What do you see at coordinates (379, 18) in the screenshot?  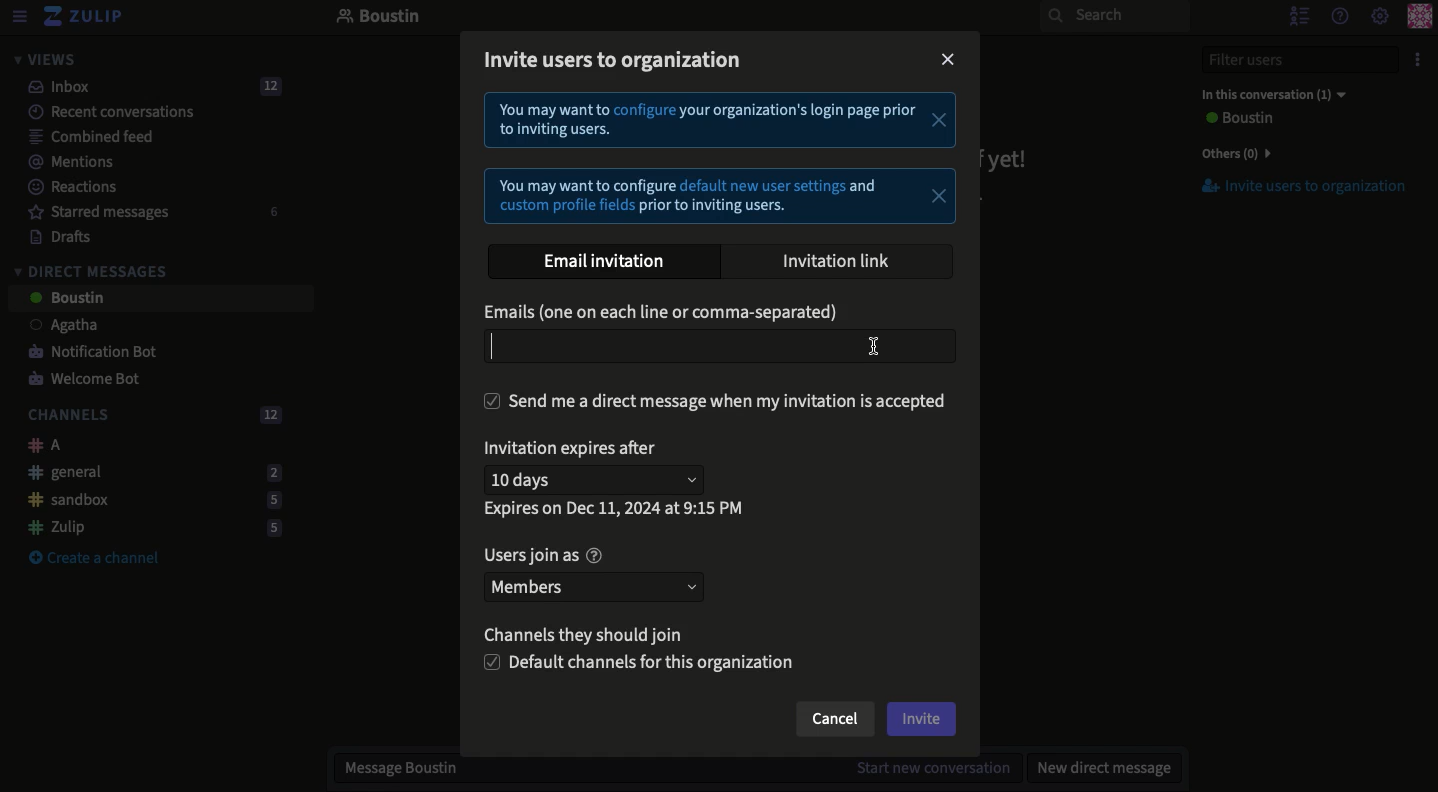 I see `Boustin` at bounding box center [379, 18].